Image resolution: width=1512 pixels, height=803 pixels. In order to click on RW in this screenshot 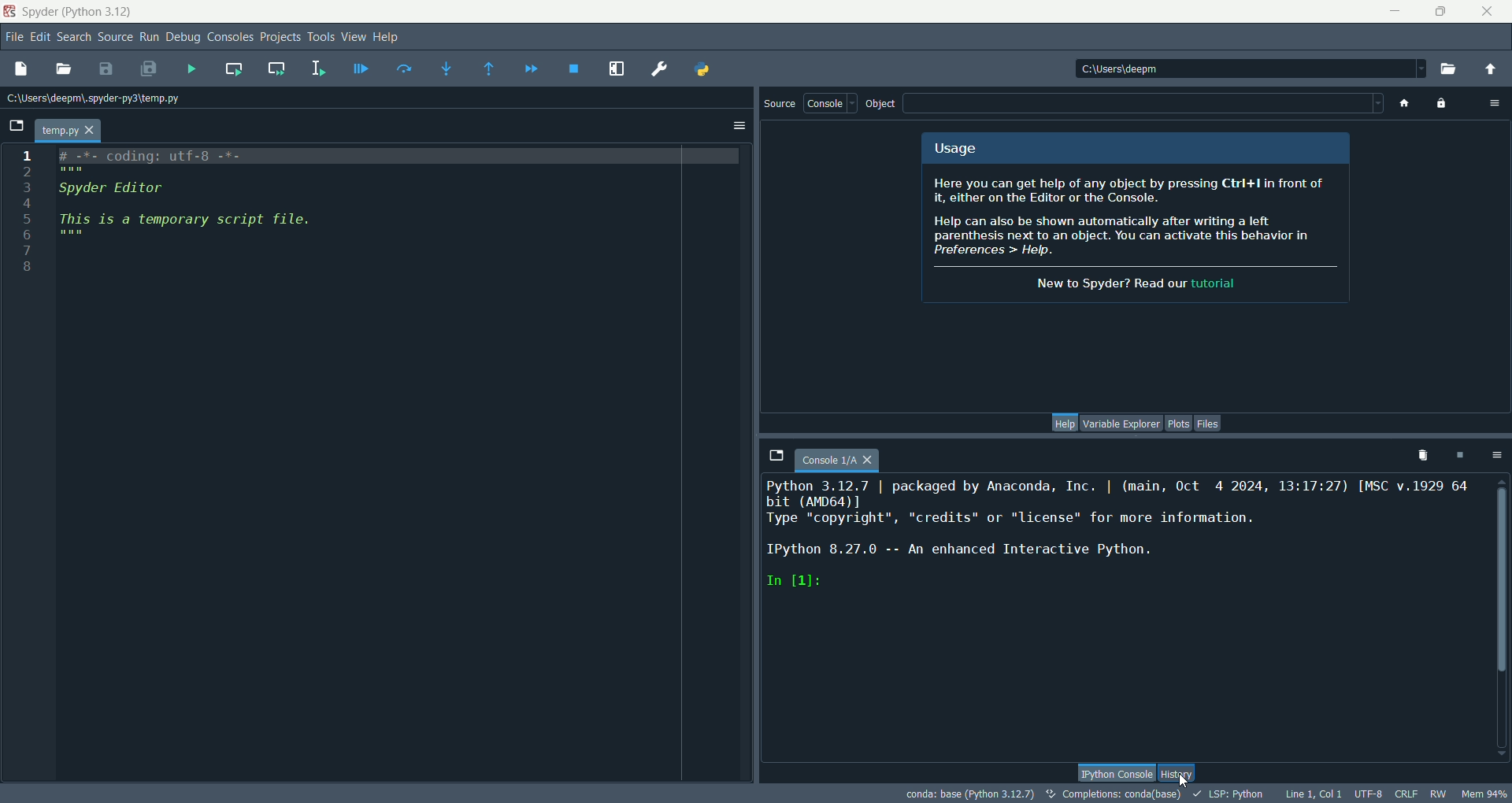, I will do `click(1440, 794)`.